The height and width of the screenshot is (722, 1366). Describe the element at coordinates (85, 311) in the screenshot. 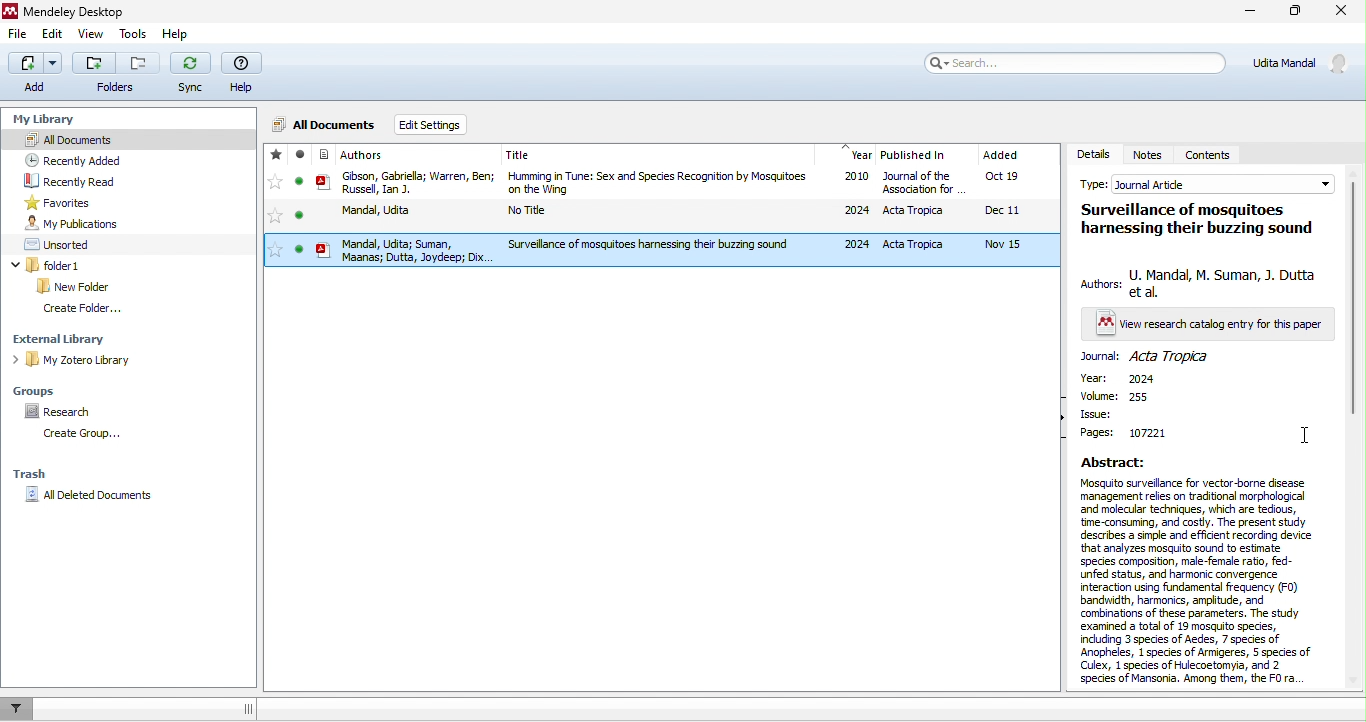

I see `create folder` at that location.